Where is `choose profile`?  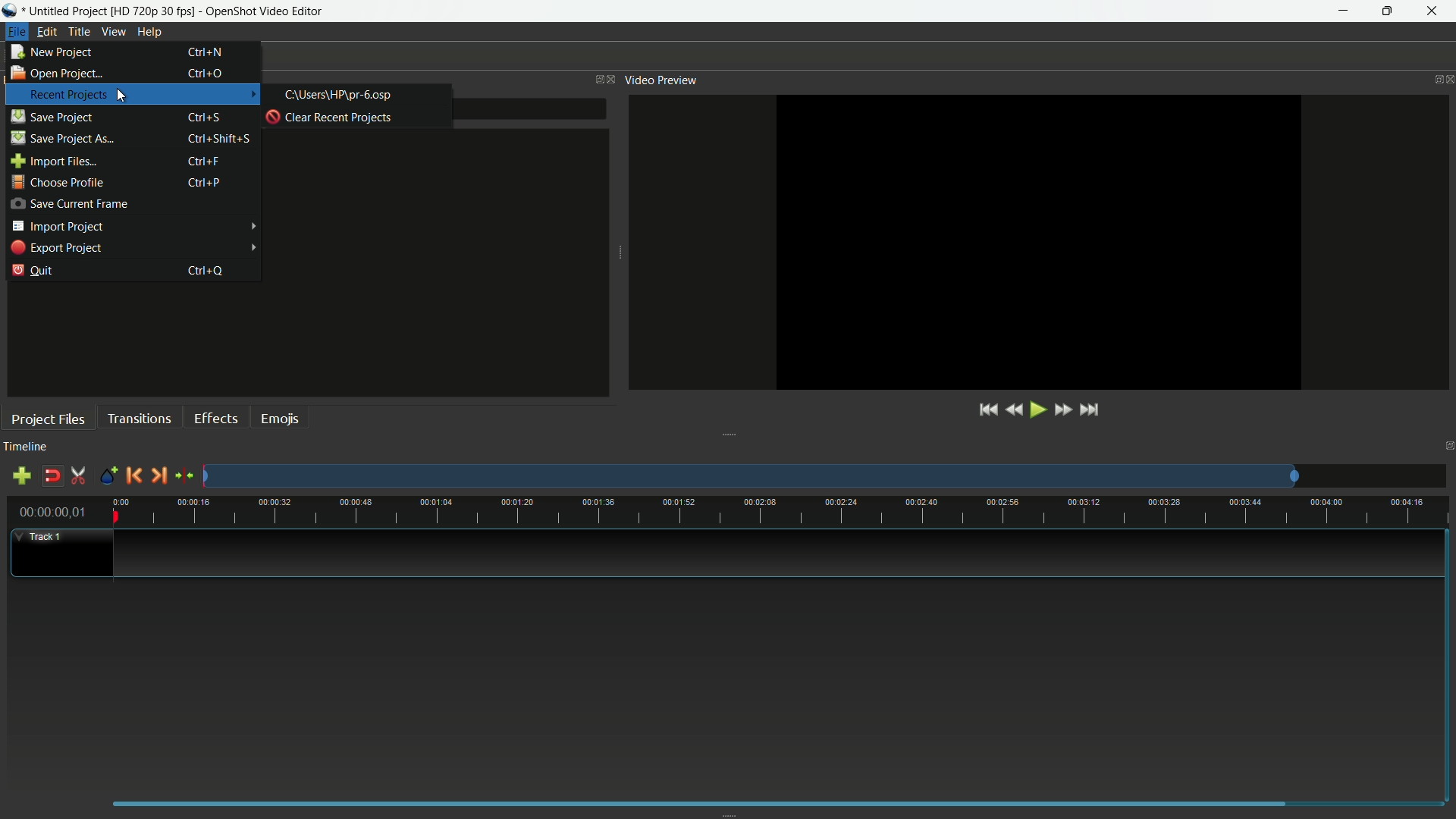
choose profile is located at coordinates (56, 183).